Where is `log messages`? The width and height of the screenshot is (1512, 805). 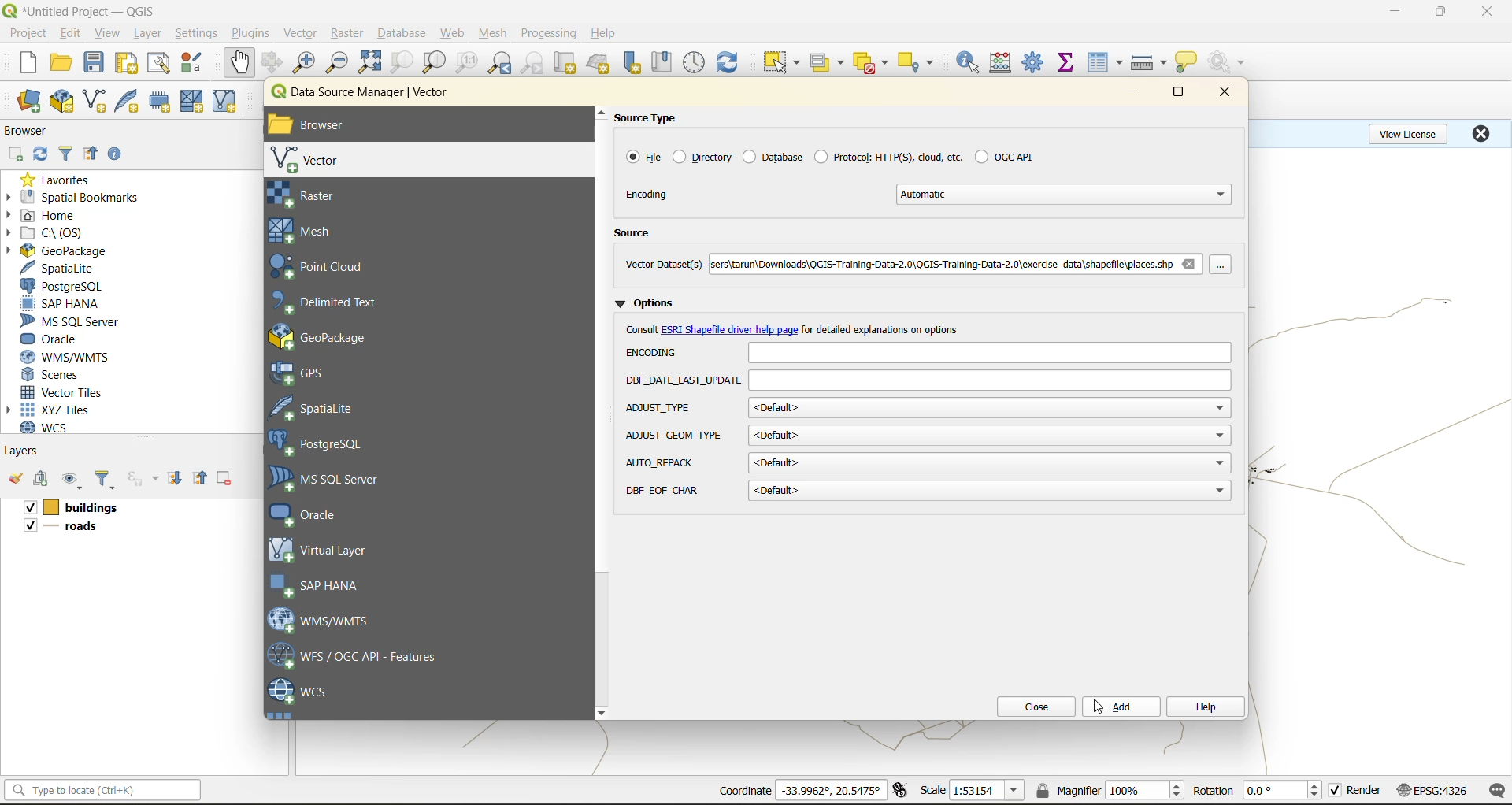 log messages is located at coordinates (1498, 791).